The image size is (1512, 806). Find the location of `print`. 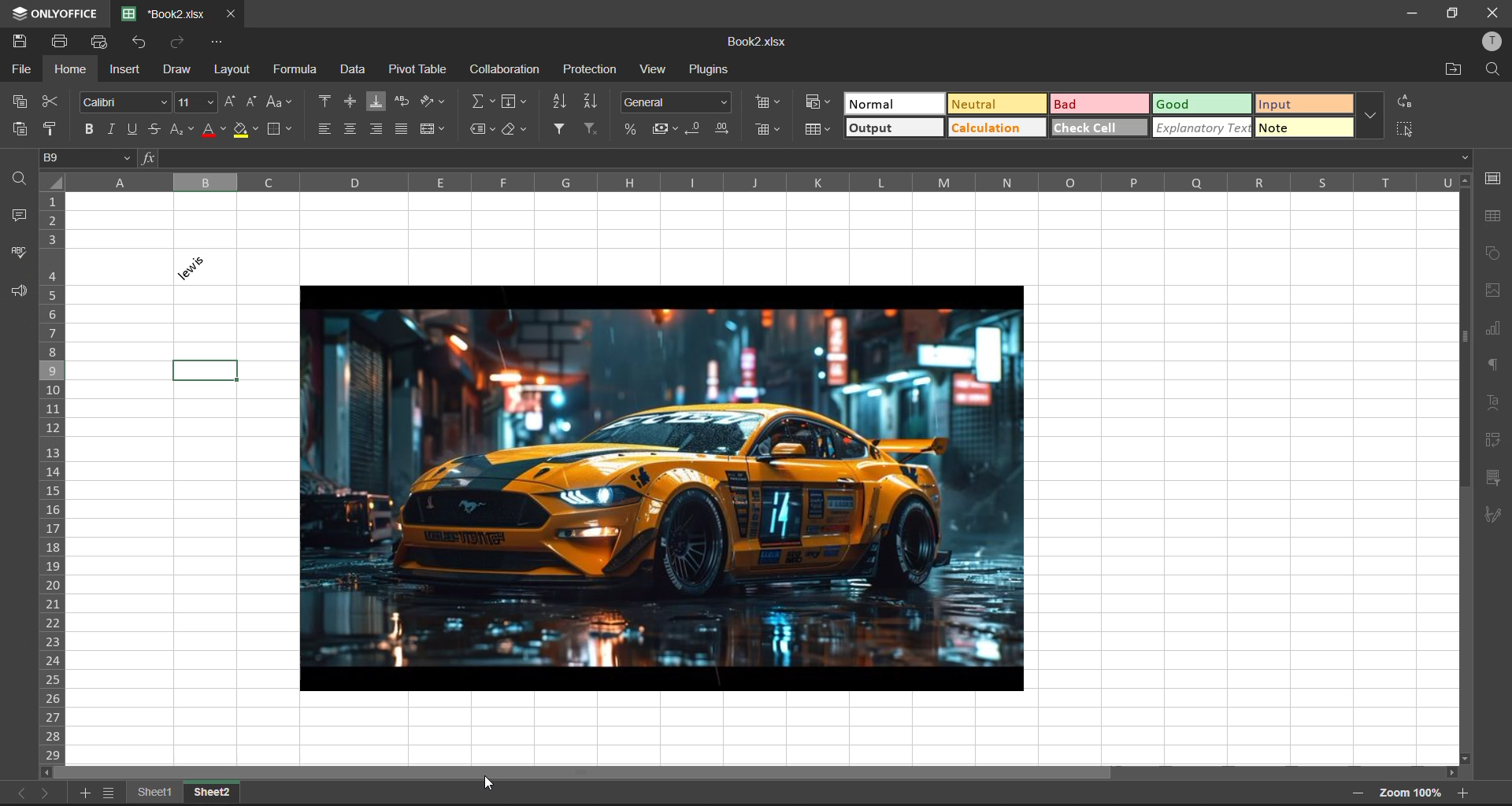

print is located at coordinates (59, 42).